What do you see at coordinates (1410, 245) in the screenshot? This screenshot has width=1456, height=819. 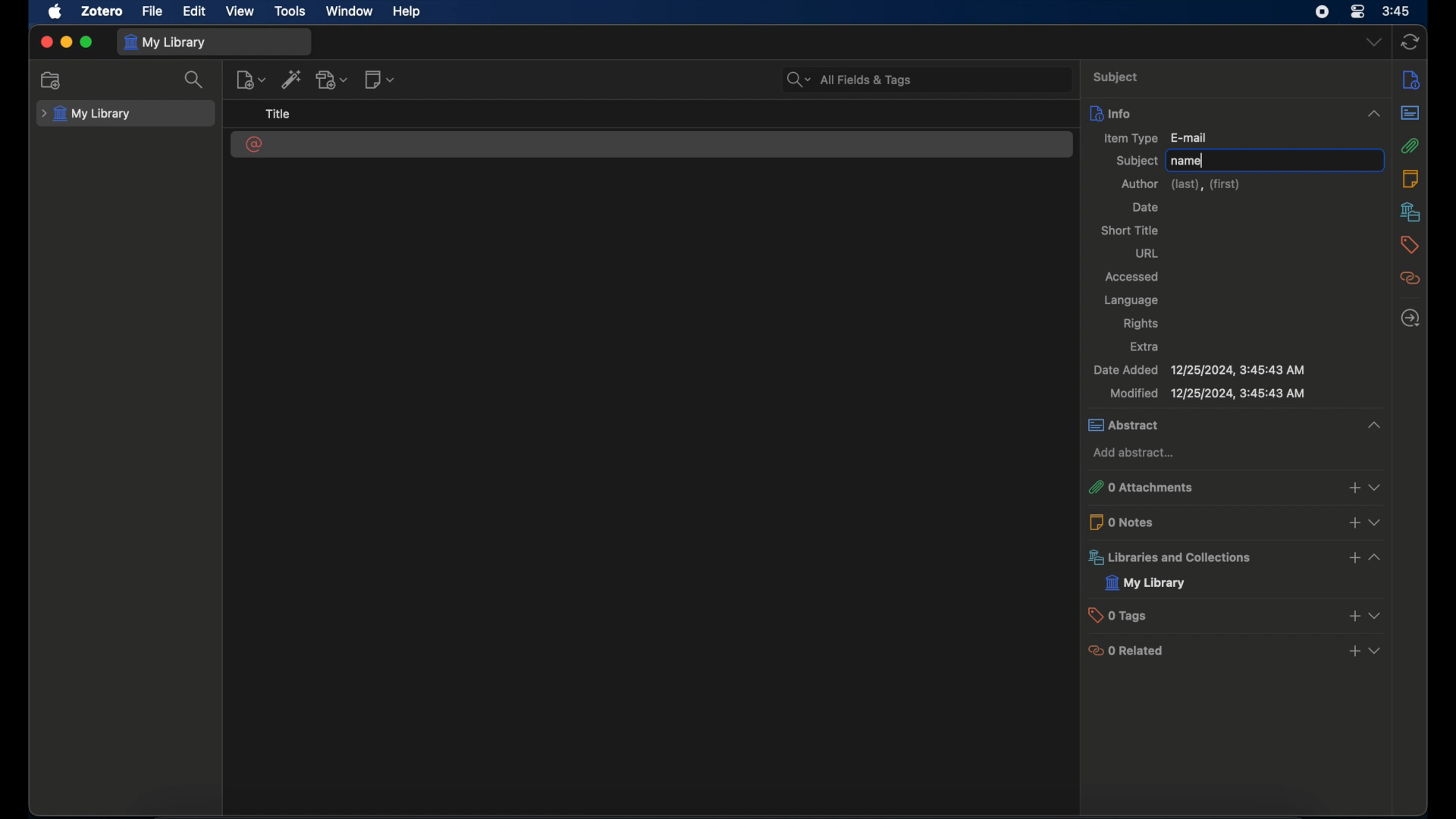 I see `tags` at bounding box center [1410, 245].